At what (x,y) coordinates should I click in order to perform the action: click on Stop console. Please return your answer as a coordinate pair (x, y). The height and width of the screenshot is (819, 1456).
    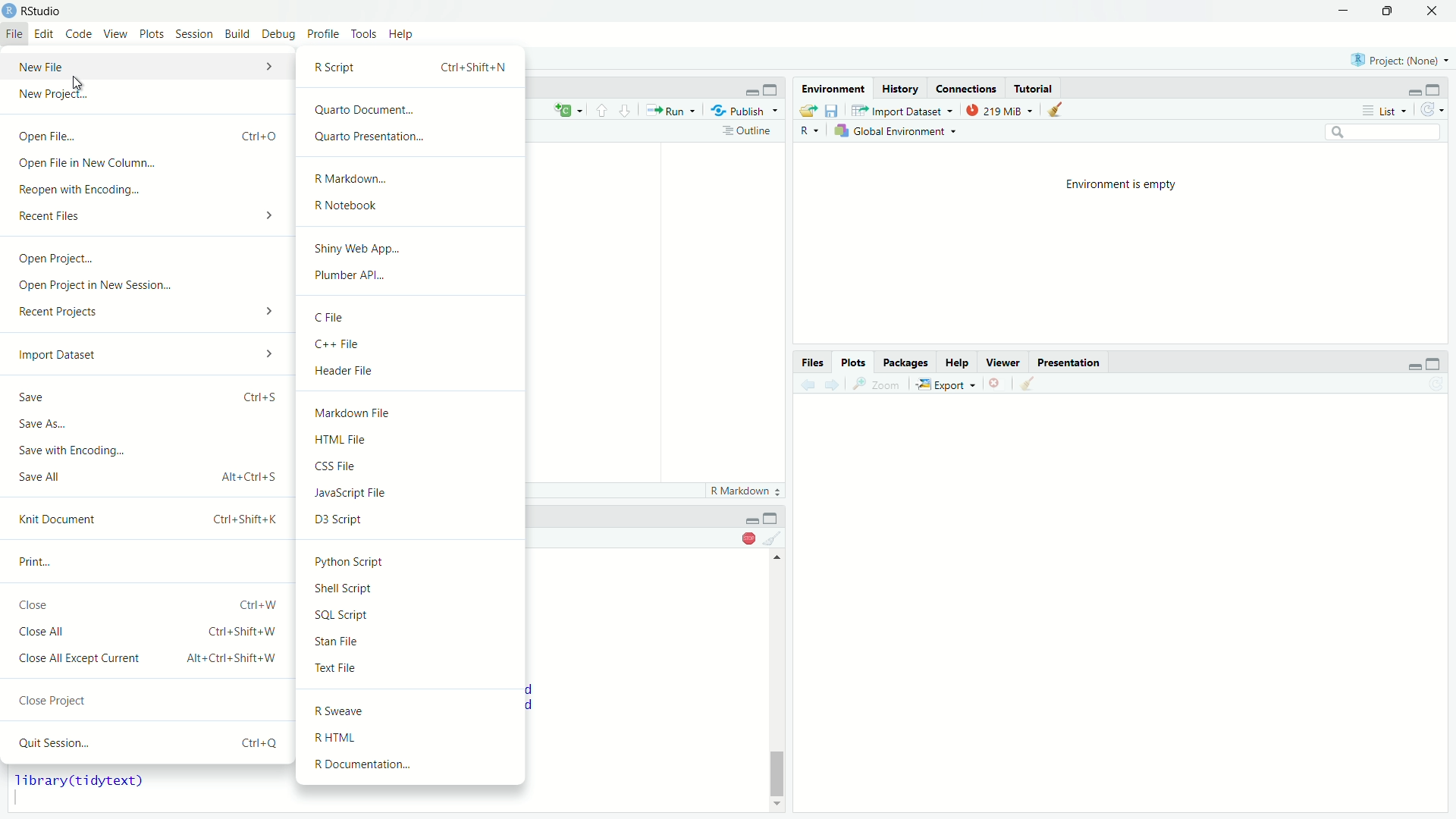
    Looking at the image, I should click on (748, 538).